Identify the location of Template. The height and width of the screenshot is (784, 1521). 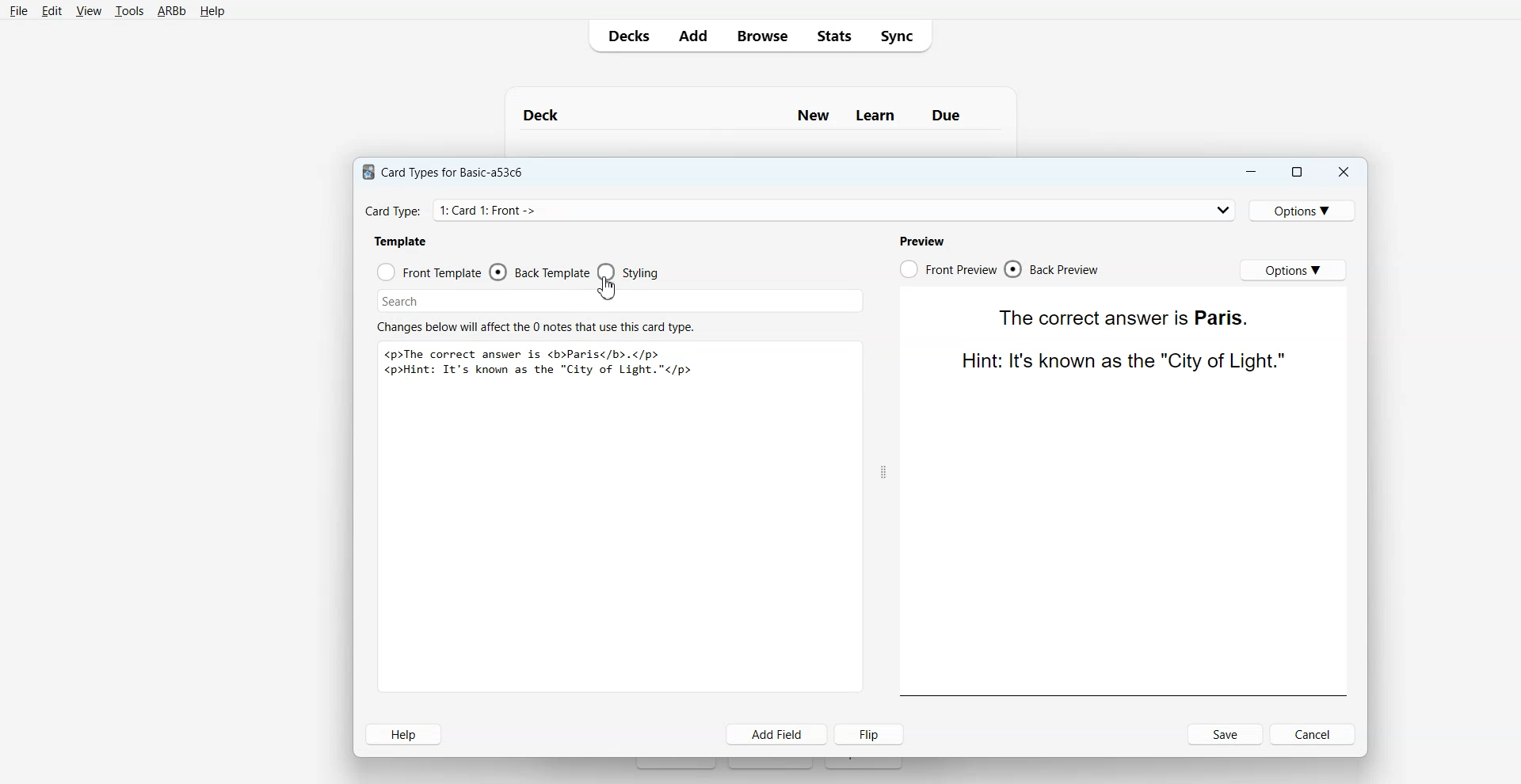
(402, 241).